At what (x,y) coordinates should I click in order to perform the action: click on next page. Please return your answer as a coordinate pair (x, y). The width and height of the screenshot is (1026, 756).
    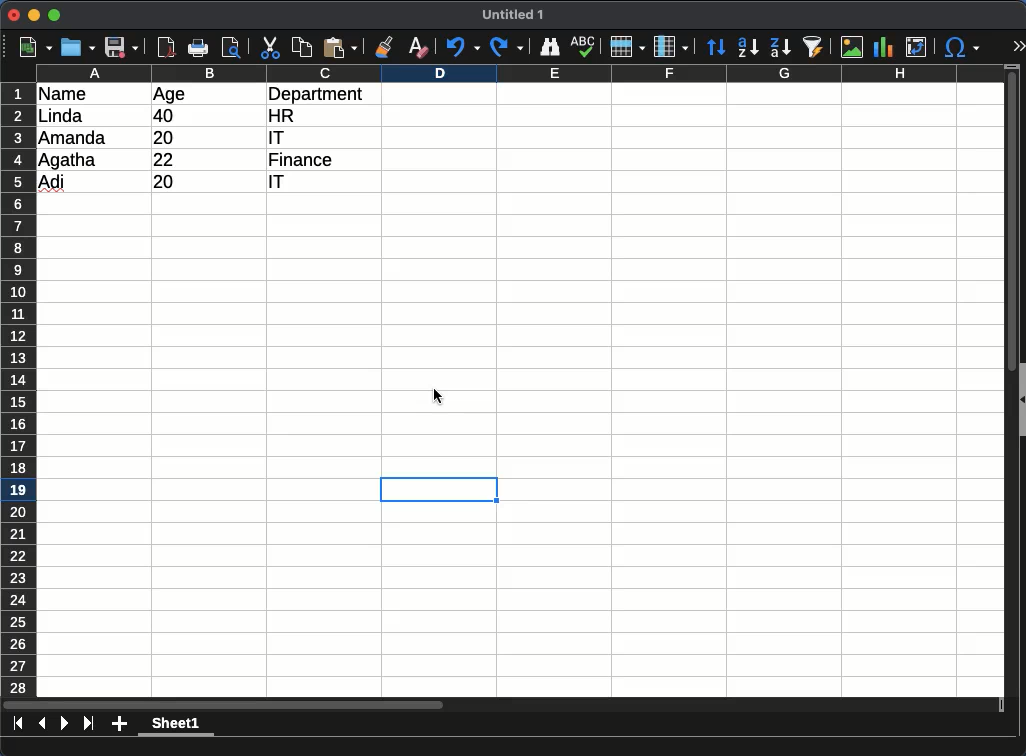
    Looking at the image, I should click on (65, 723).